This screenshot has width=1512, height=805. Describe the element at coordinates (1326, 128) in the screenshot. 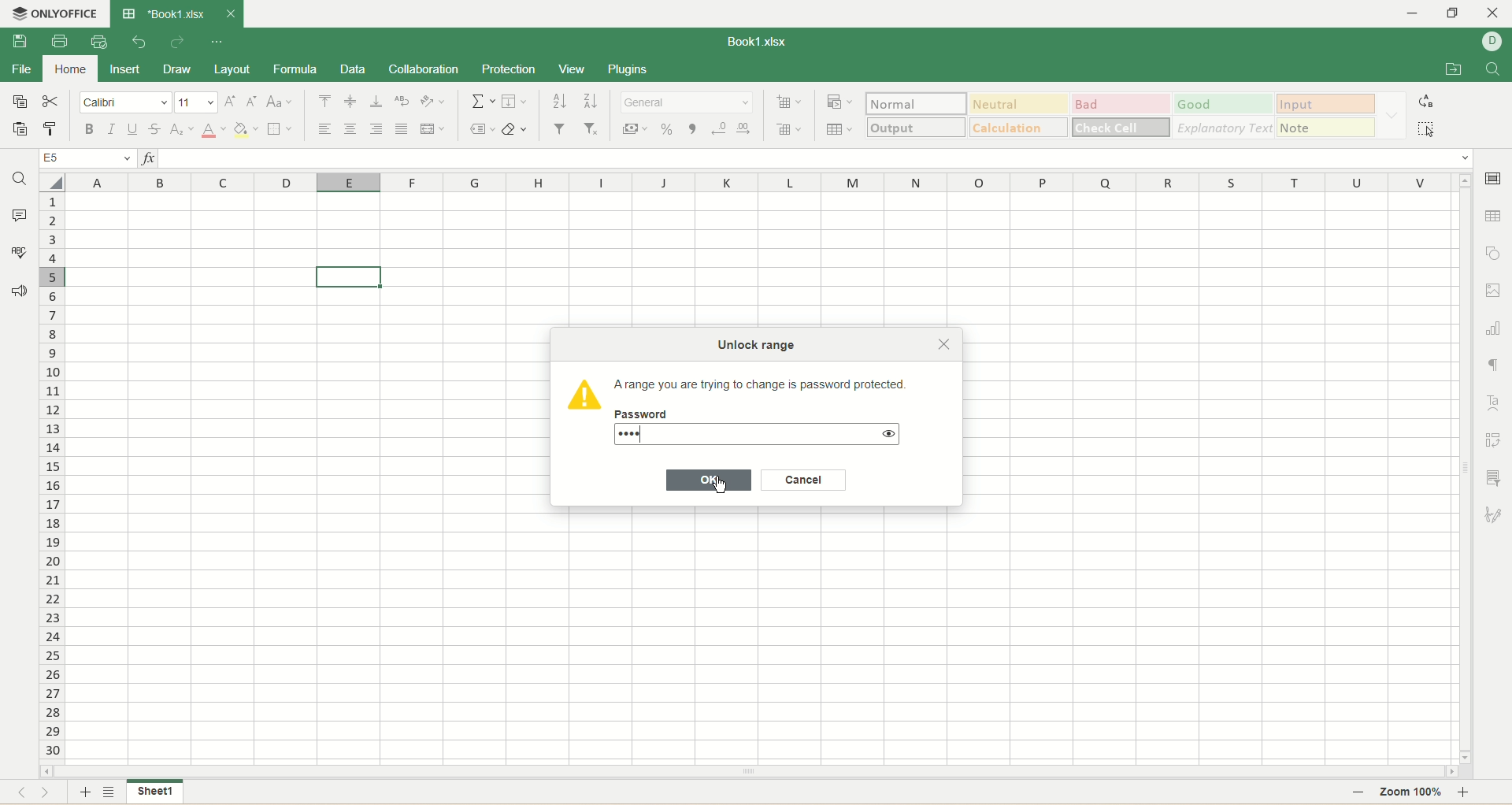

I see `note` at that location.